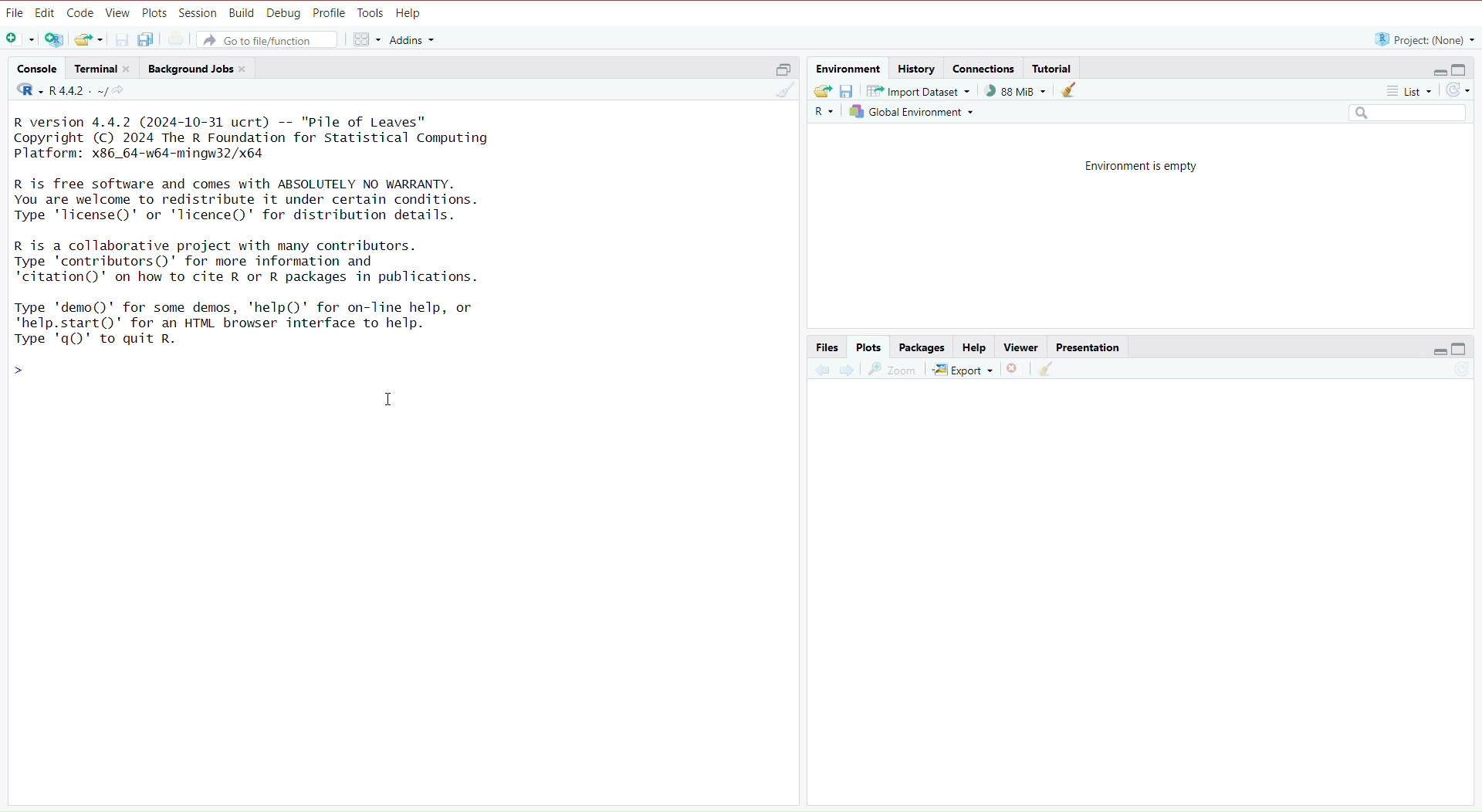 This screenshot has width=1482, height=812. Describe the element at coordinates (55, 41) in the screenshot. I see `create a project` at that location.